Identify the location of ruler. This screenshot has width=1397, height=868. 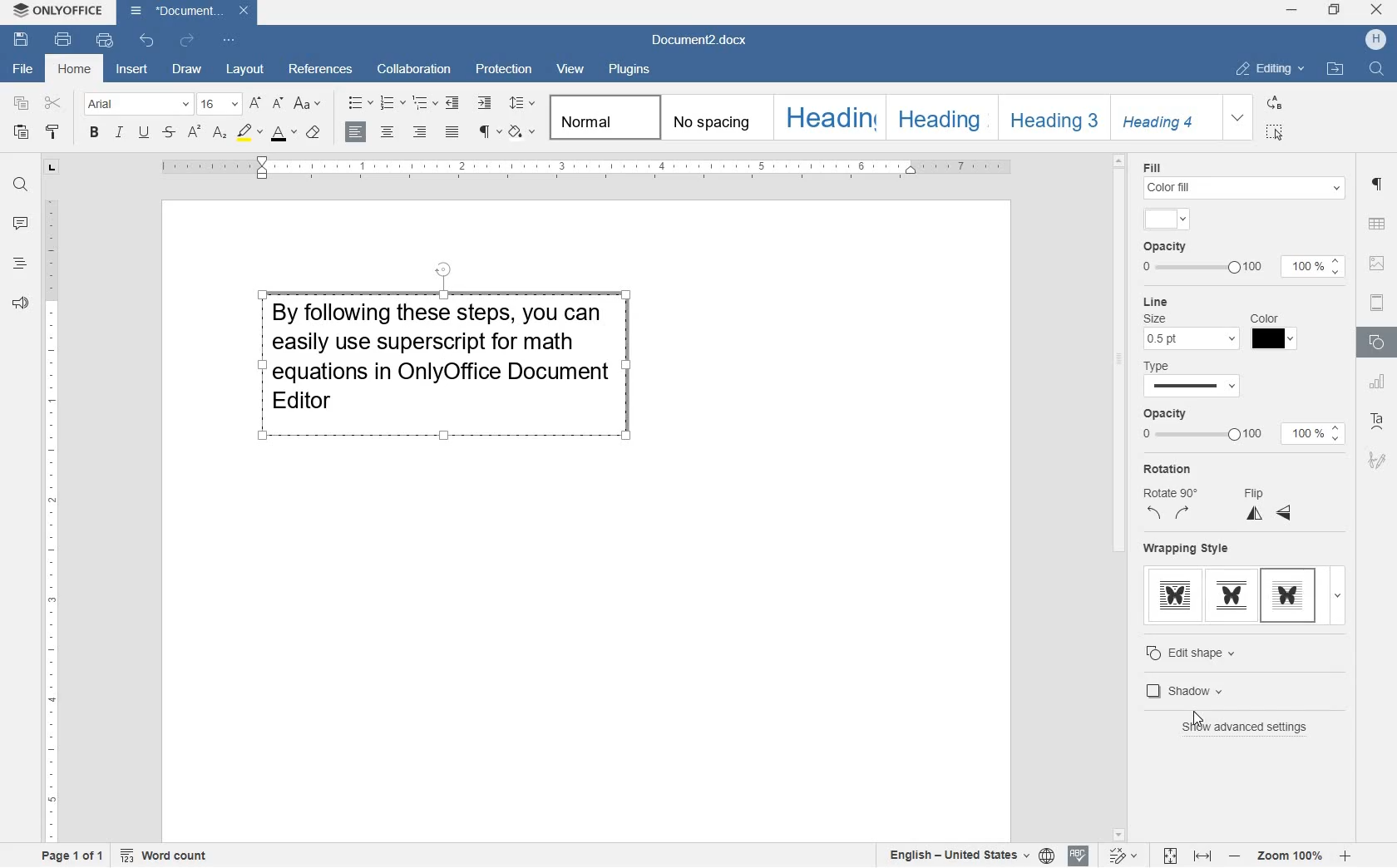
(50, 520).